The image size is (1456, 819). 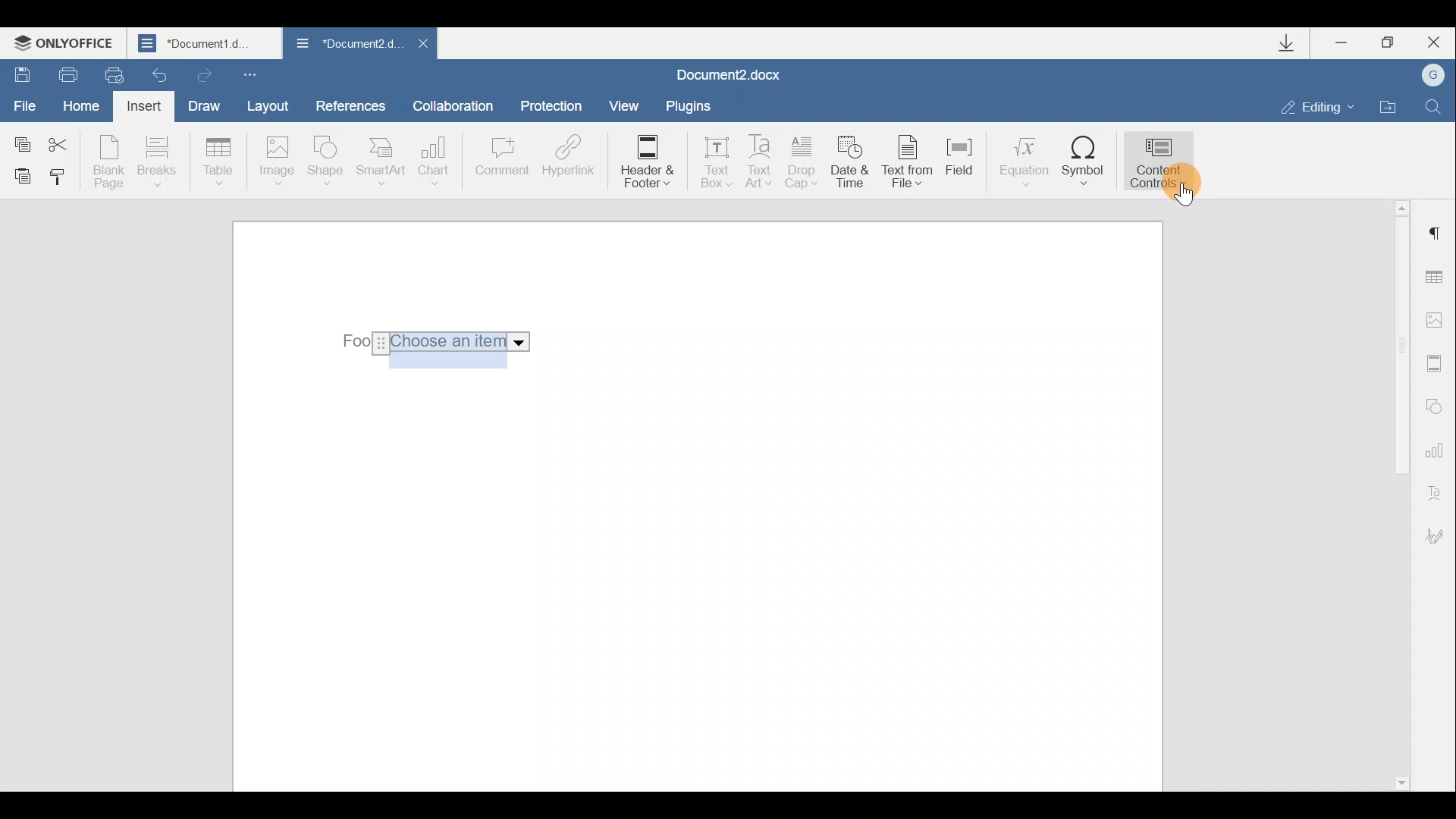 I want to click on Close, so click(x=422, y=48).